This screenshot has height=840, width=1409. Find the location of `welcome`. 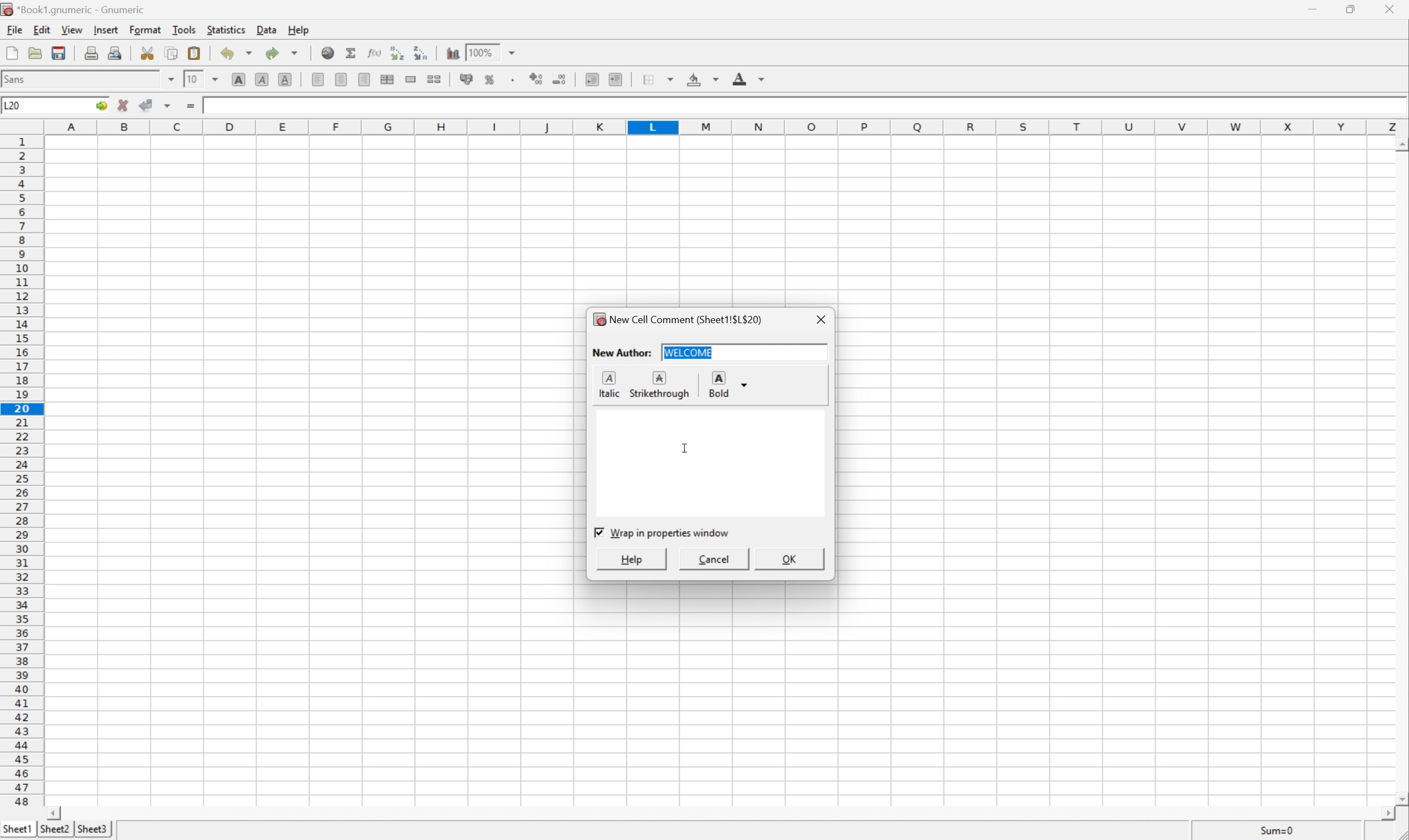

welcome is located at coordinates (688, 352).